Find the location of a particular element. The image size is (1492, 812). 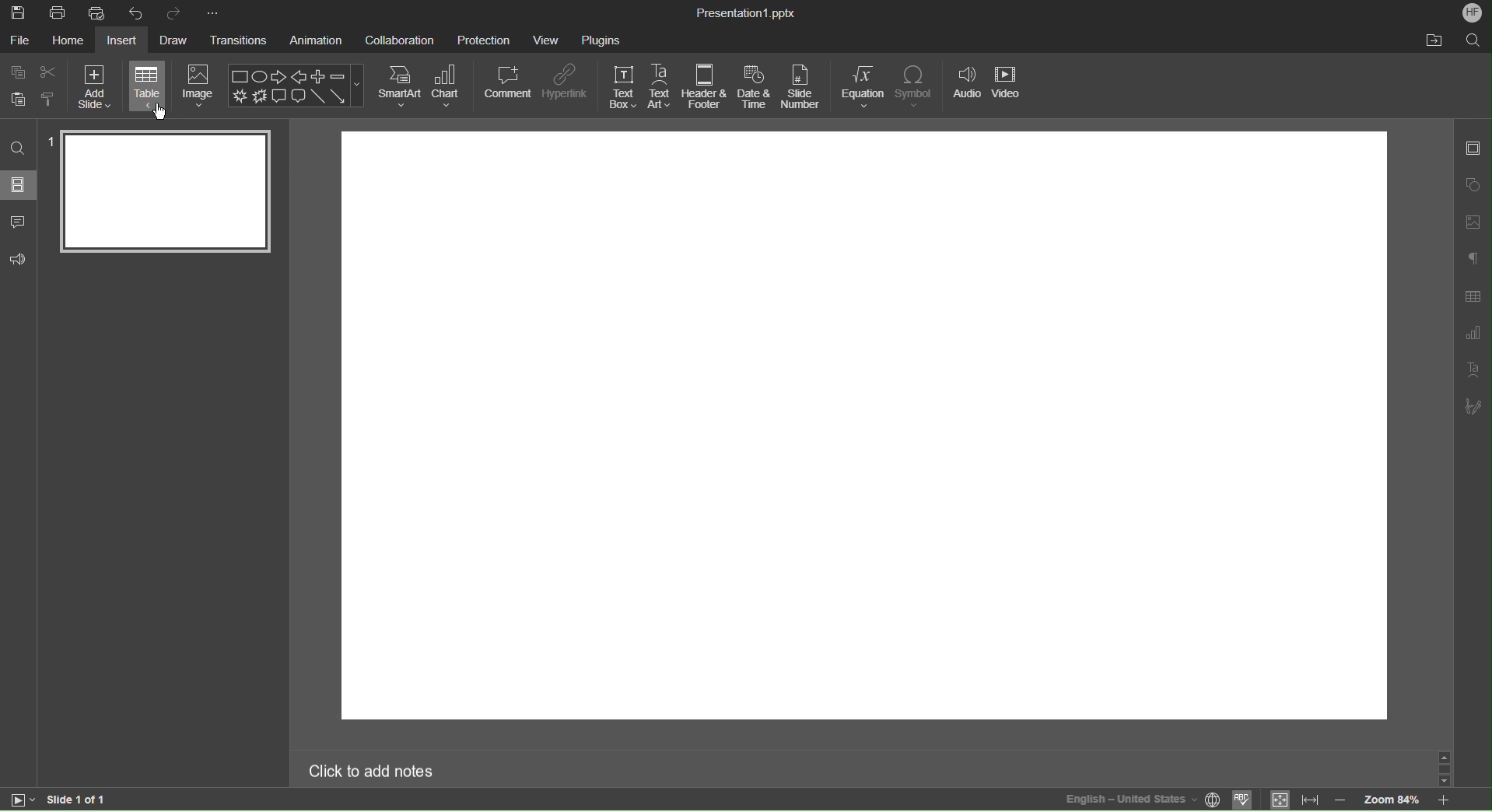

start slide show is located at coordinates (18, 799).